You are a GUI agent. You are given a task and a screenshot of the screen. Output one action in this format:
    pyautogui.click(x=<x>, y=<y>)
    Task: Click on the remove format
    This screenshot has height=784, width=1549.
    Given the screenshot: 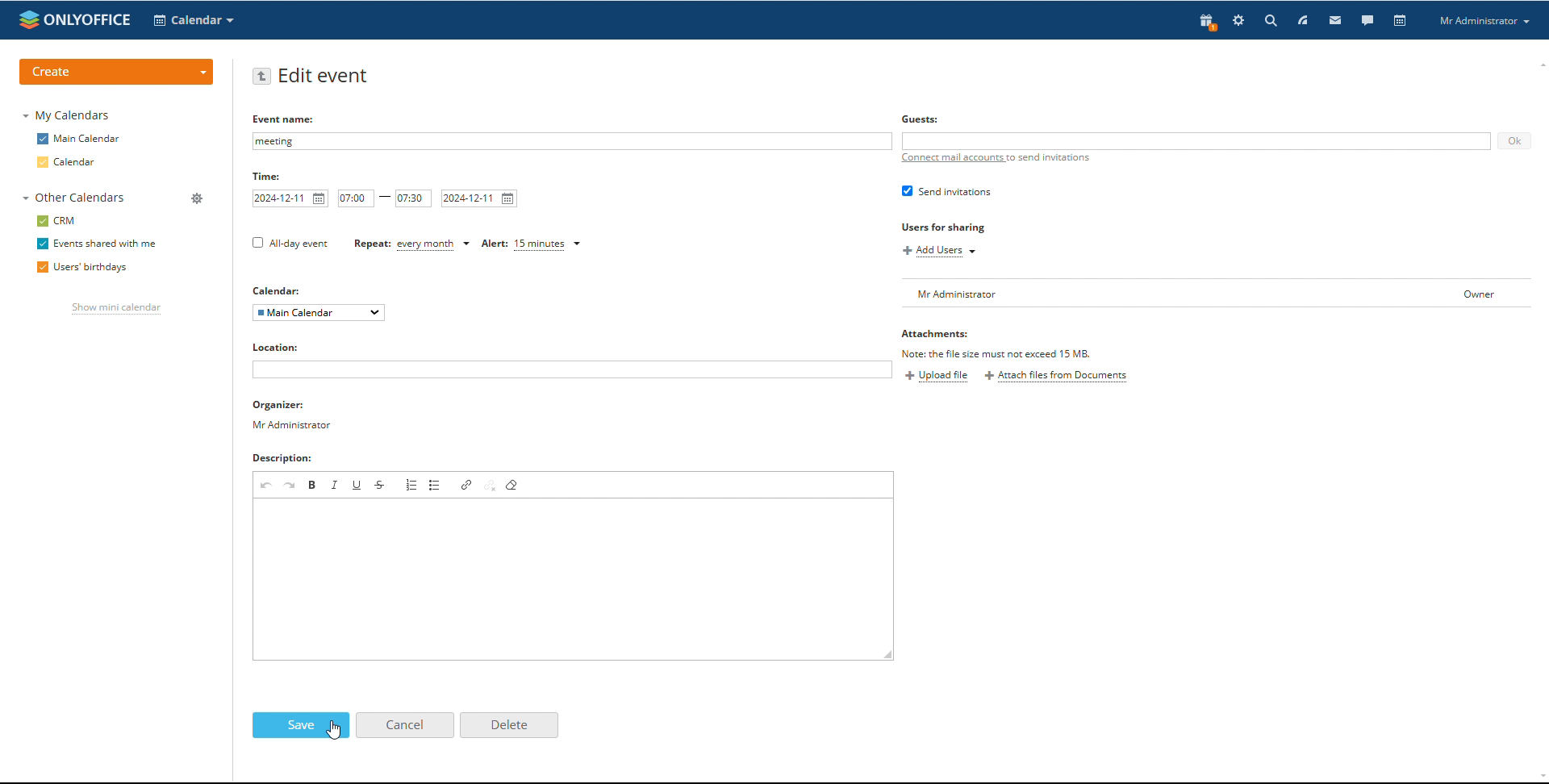 What is the action you would take?
    pyautogui.click(x=512, y=484)
    